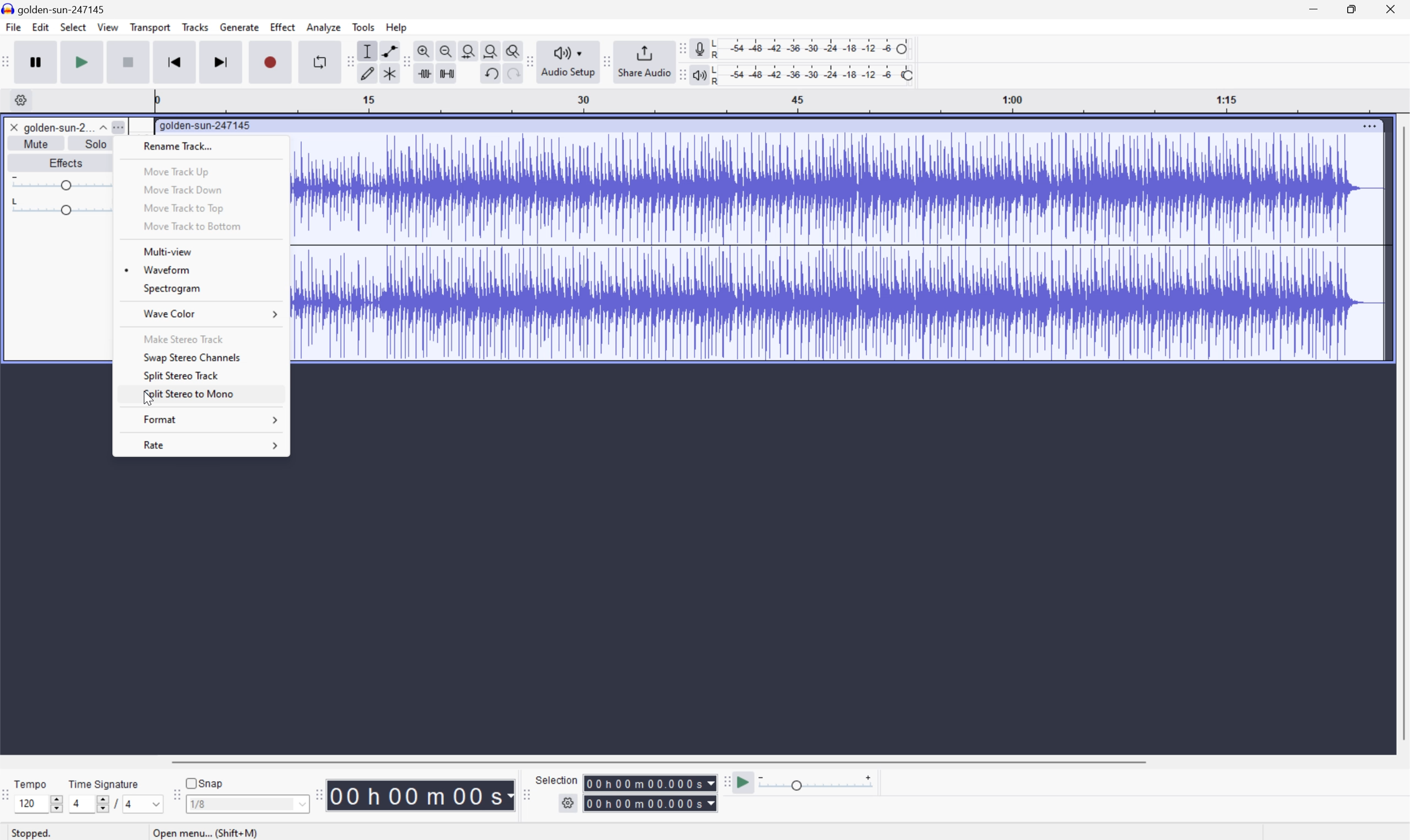 The height and width of the screenshot is (840, 1410). I want to click on Open menu... (Shift+M), so click(203, 830).